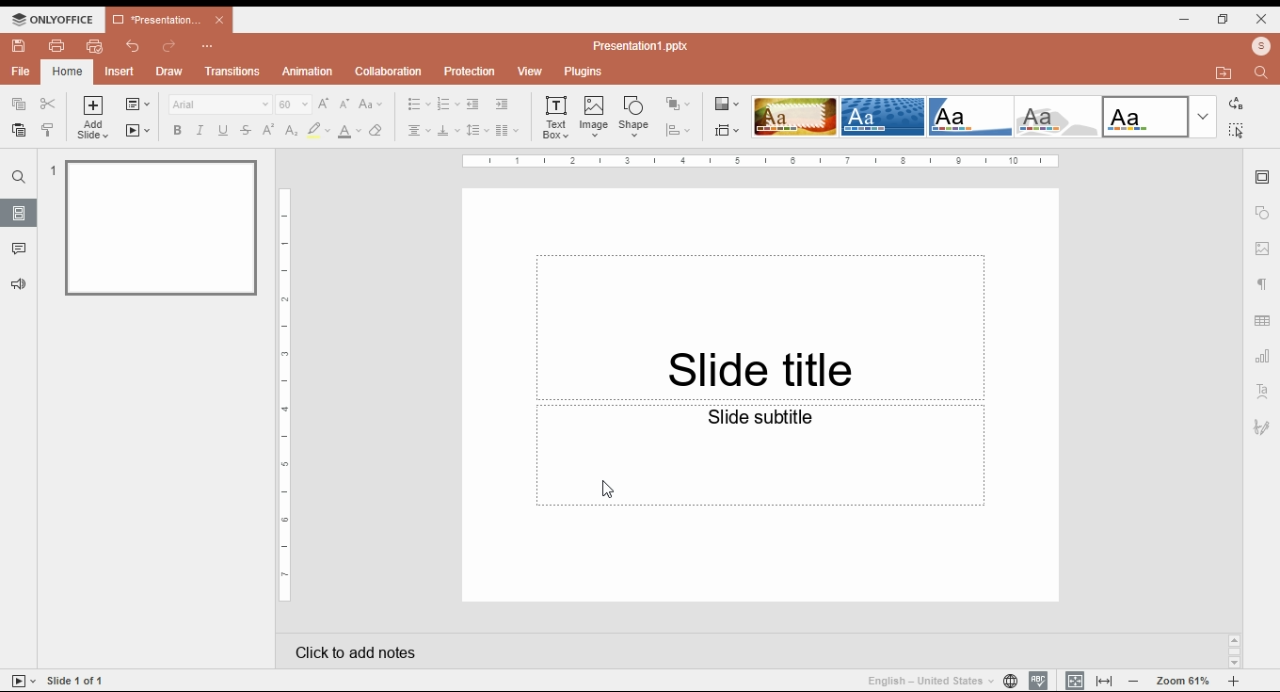 This screenshot has height=692, width=1280. I want to click on ONLYOFFICE, so click(53, 19).